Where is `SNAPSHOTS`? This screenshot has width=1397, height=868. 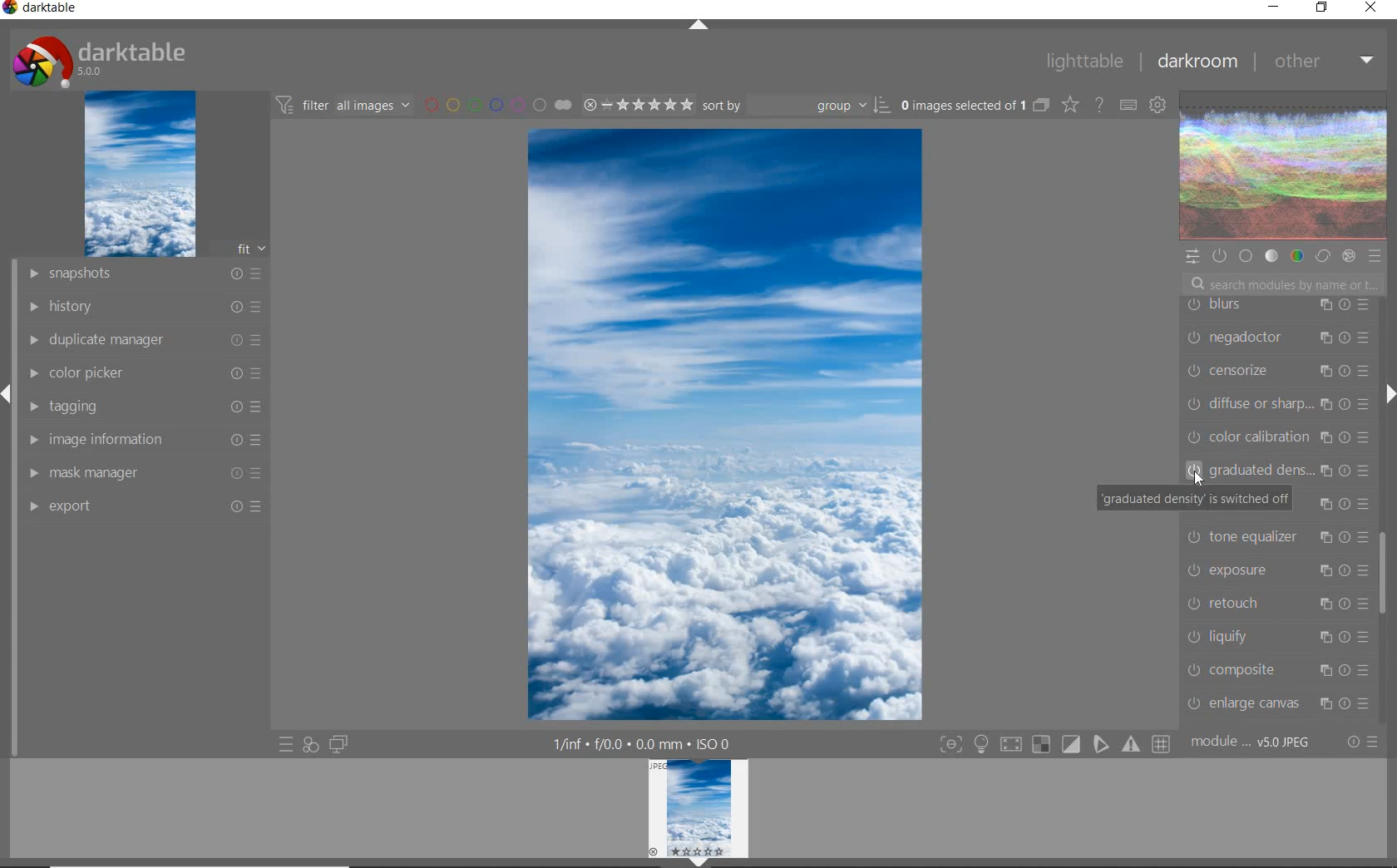
SNAPSHOTS is located at coordinates (146, 274).